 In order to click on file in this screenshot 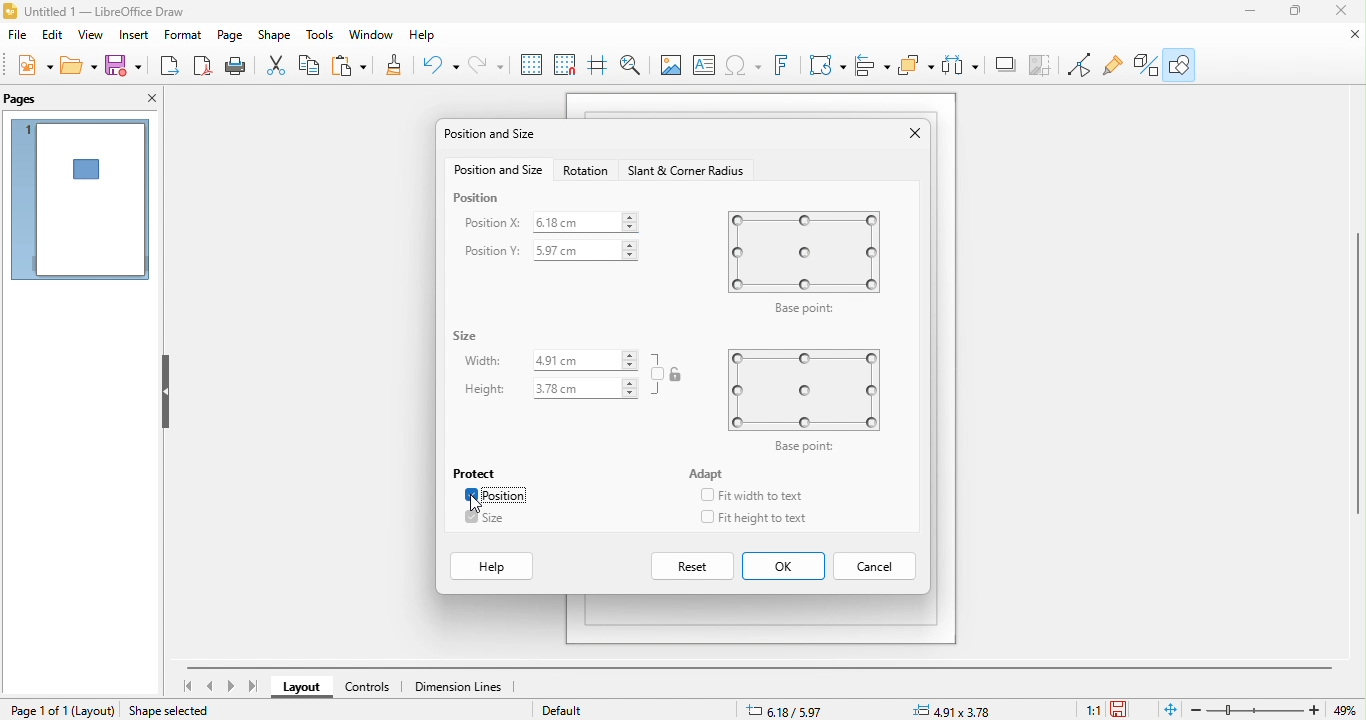, I will do `click(17, 35)`.